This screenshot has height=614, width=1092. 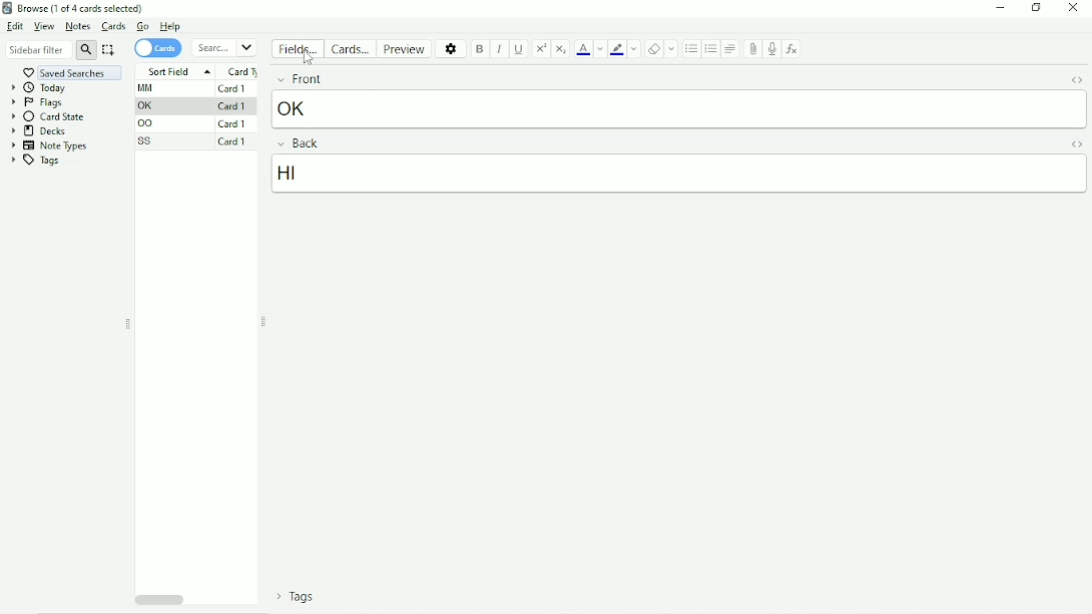 What do you see at coordinates (143, 26) in the screenshot?
I see `Go` at bounding box center [143, 26].